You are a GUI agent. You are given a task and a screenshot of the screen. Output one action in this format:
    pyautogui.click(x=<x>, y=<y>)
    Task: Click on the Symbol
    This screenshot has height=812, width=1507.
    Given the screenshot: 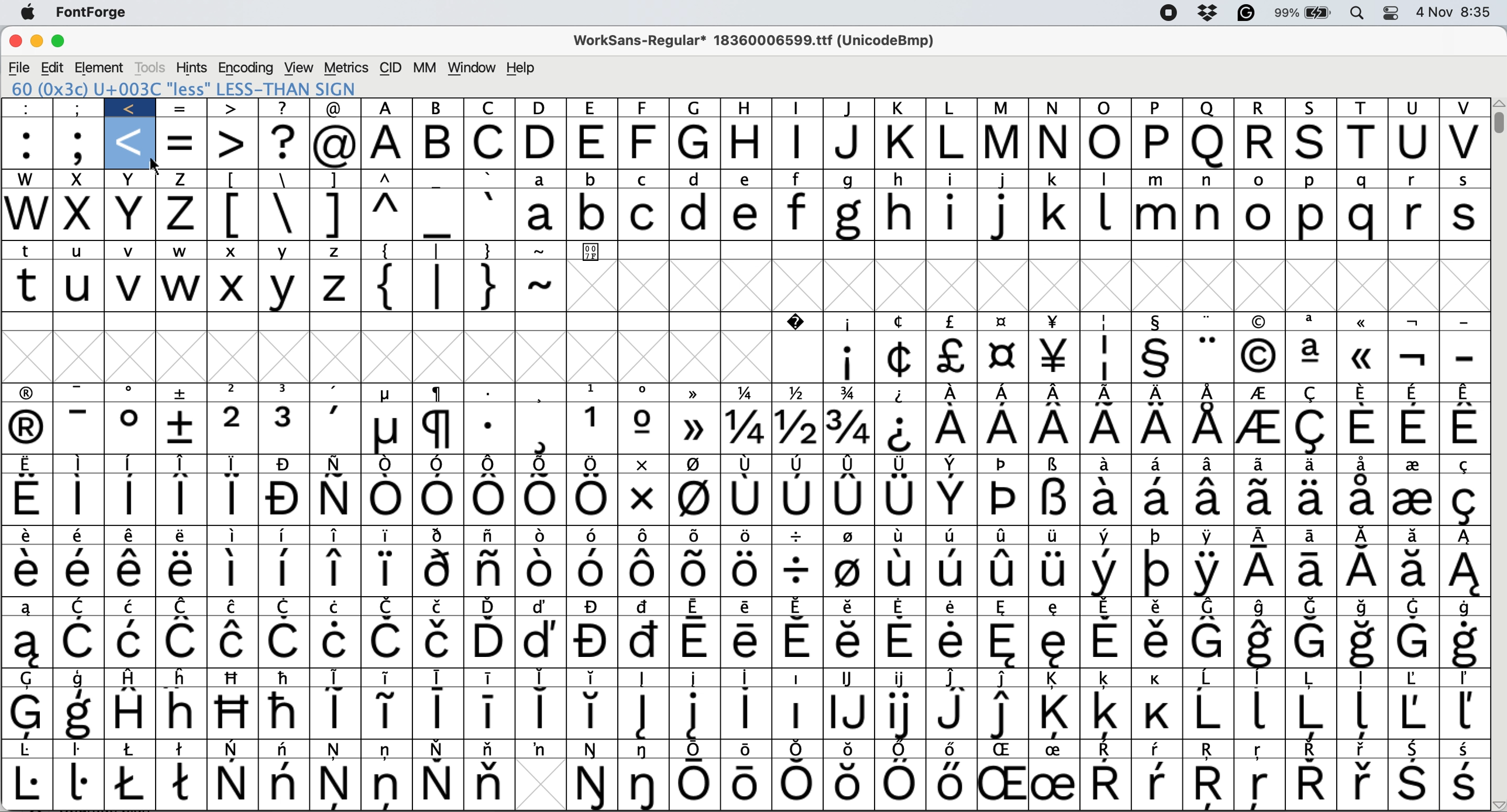 What is the action you would take?
    pyautogui.click(x=389, y=463)
    